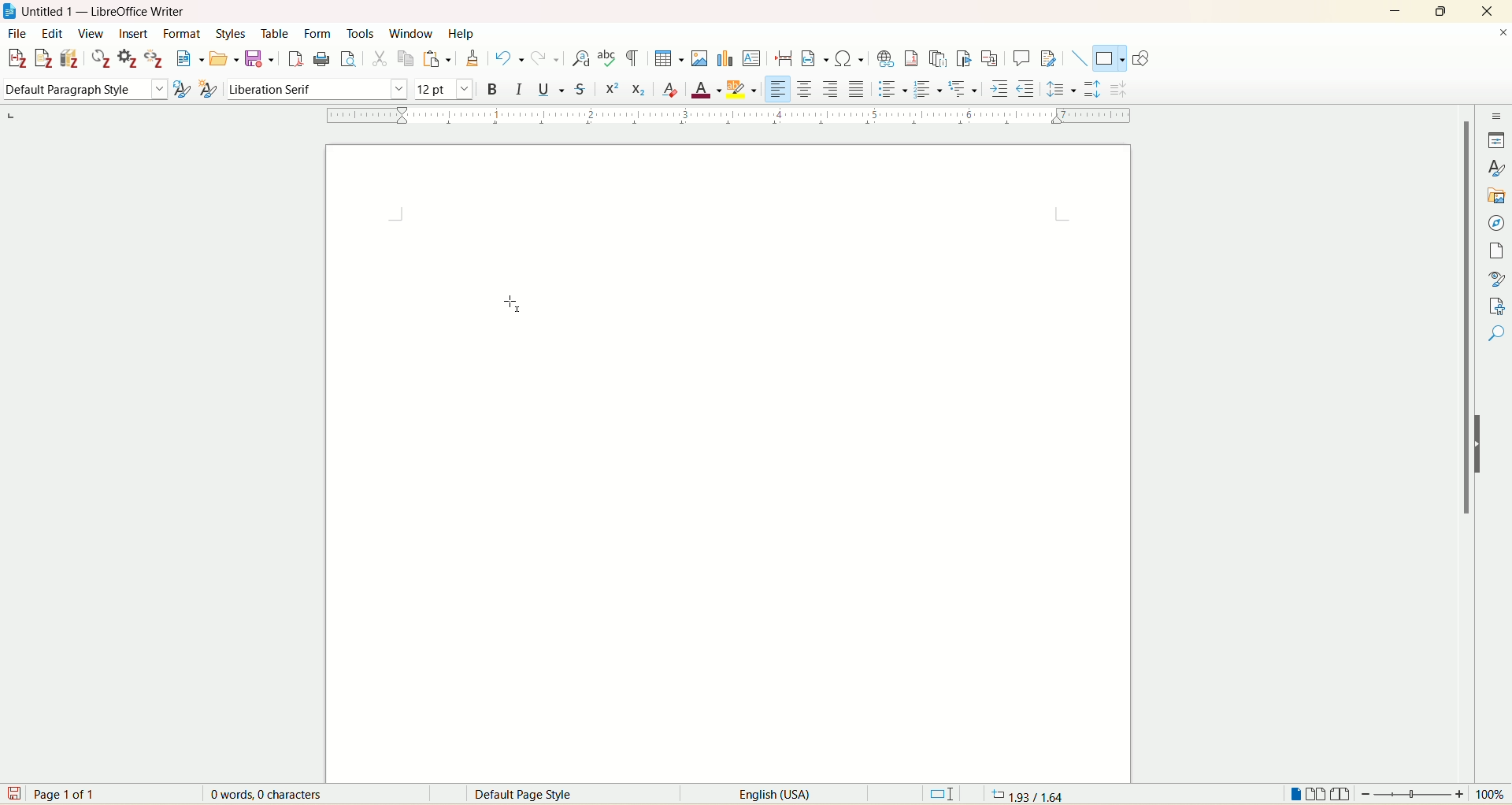 The width and height of the screenshot is (1512, 805). I want to click on insert footnote, so click(916, 58).